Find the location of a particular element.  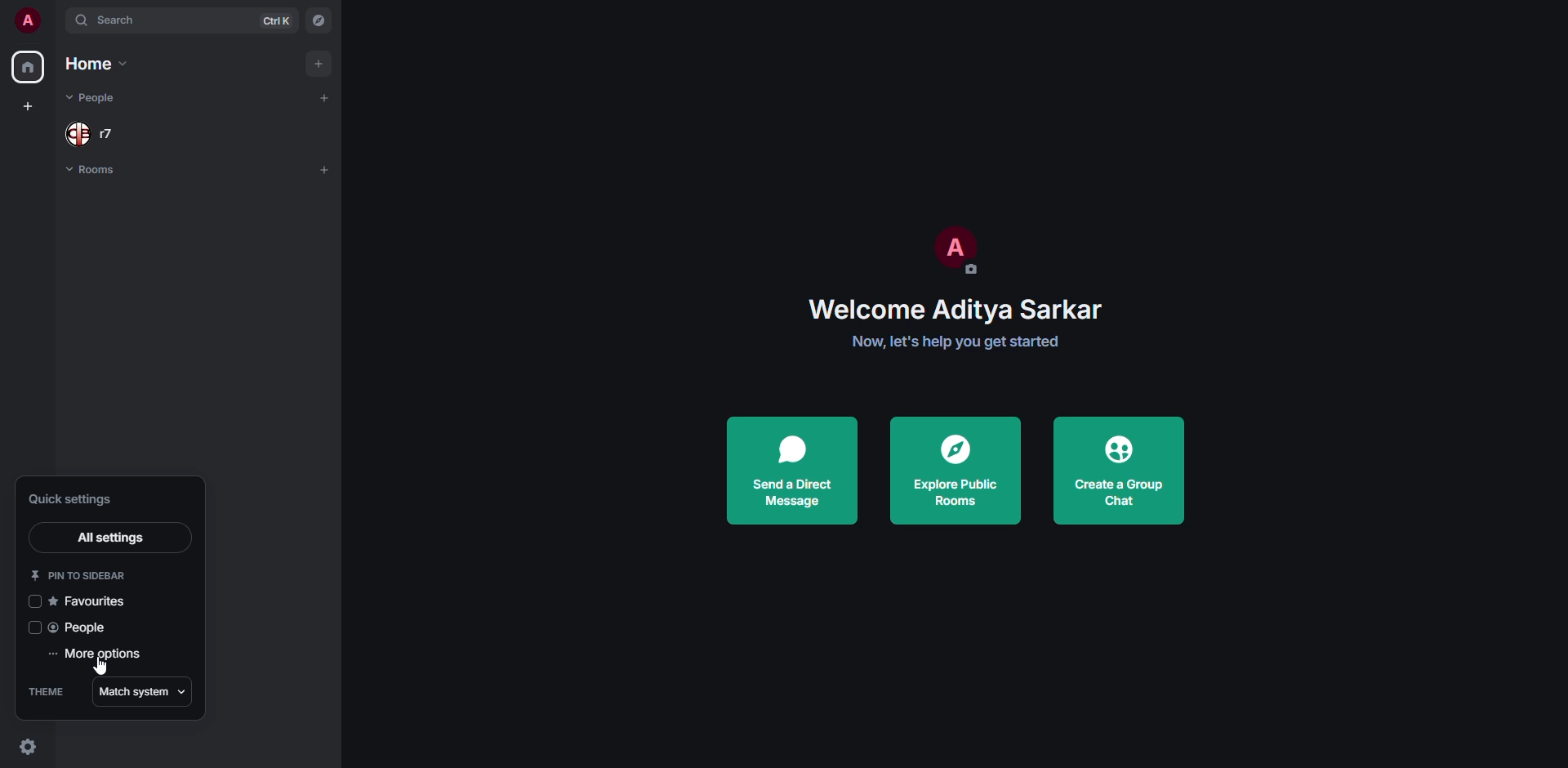

send direct message is located at coordinates (791, 470).